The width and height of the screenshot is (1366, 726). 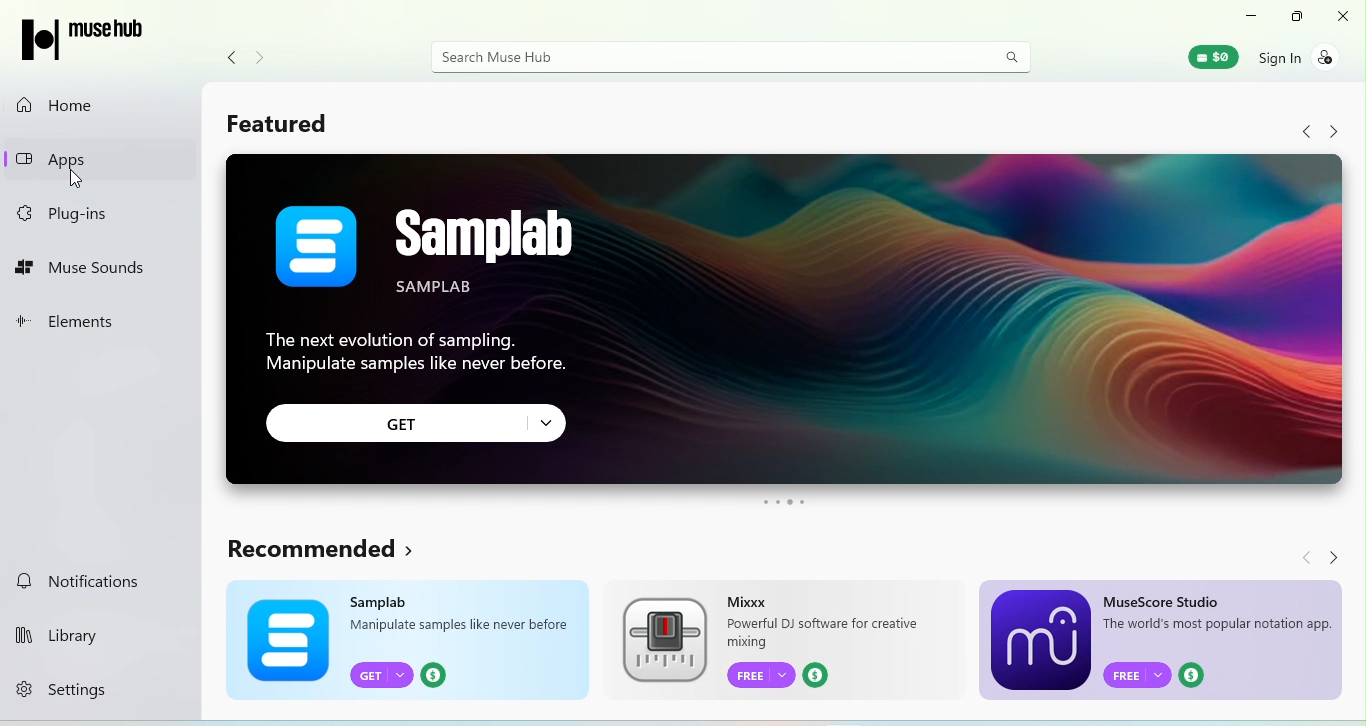 What do you see at coordinates (280, 641) in the screenshot?
I see `SampleLab Logo` at bounding box center [280, 641].